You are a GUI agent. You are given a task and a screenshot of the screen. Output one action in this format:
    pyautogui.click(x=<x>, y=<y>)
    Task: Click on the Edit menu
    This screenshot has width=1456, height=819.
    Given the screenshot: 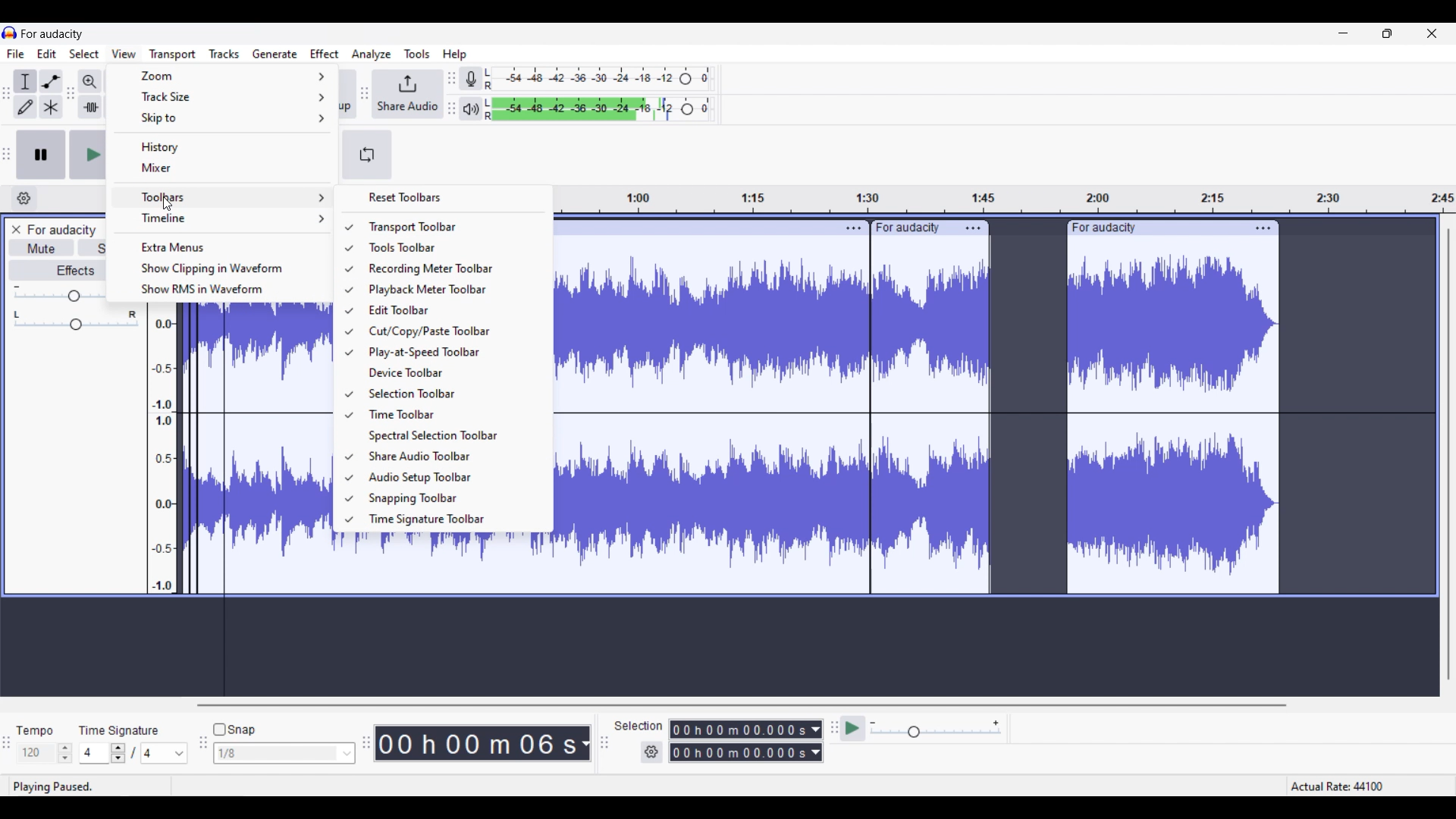 What is the action you would take?
    pyautogui.click(x=47, y=54)
    